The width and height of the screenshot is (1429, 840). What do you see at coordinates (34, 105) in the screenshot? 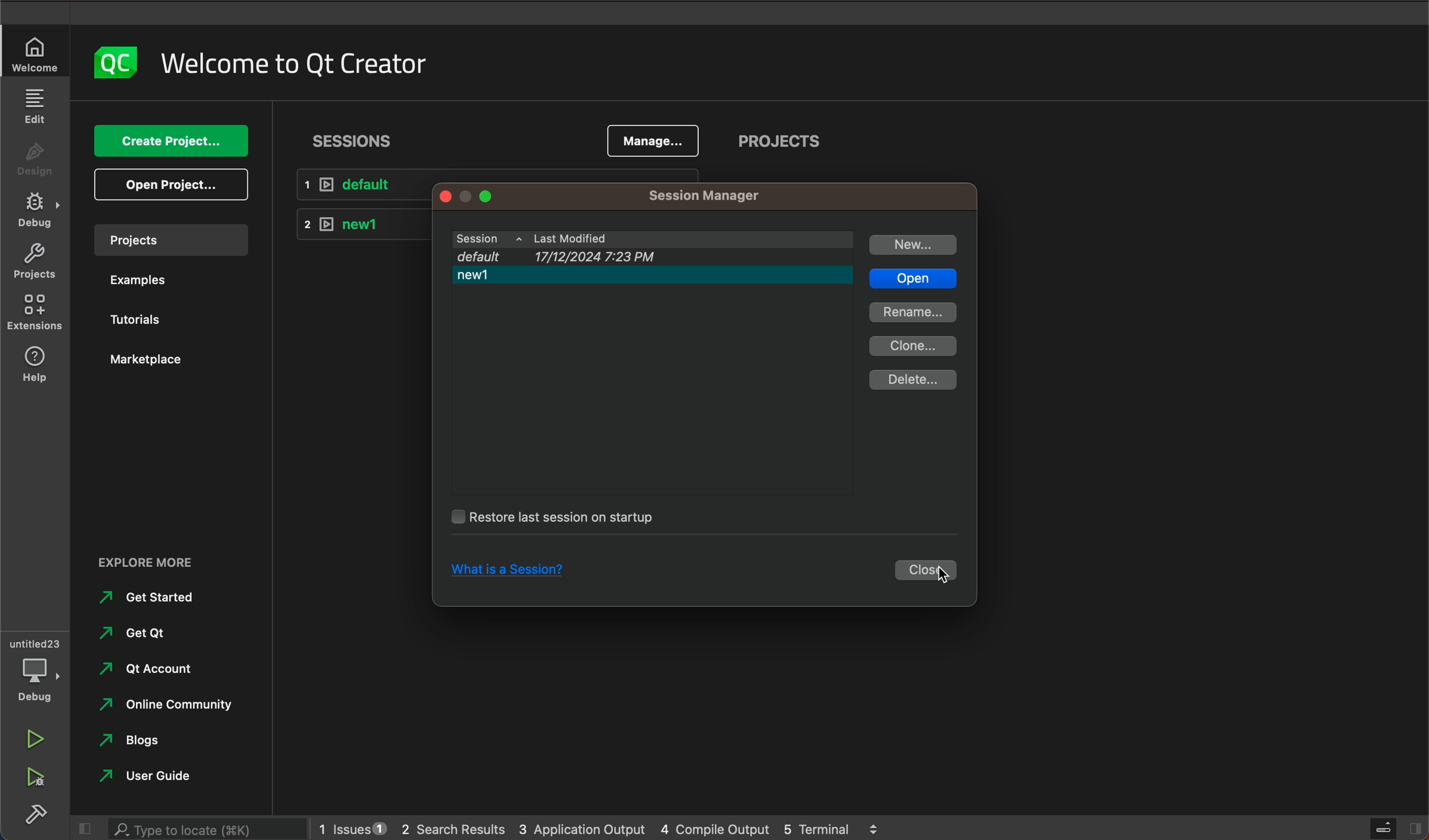
I see `edit` at bounding box center [34, 105].